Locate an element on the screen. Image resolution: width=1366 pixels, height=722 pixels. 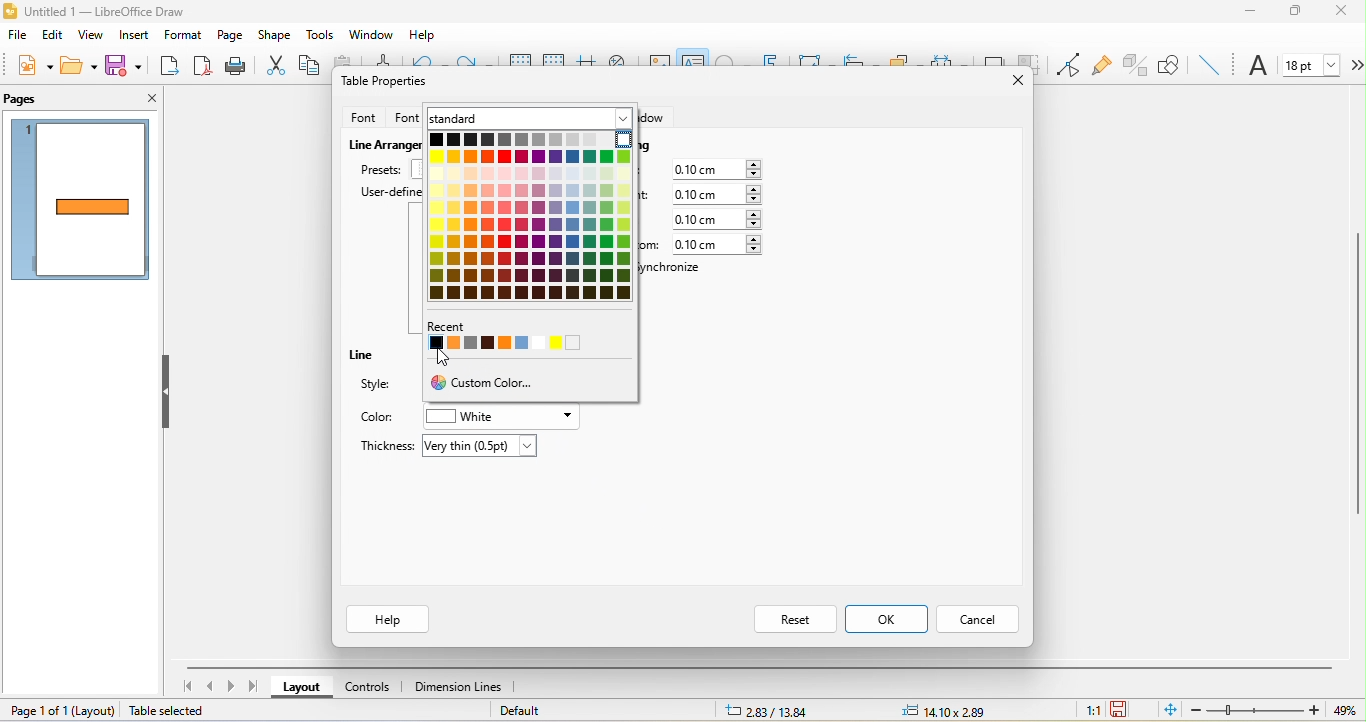
vertical scroll bar is located at coordinates (1357, 373).